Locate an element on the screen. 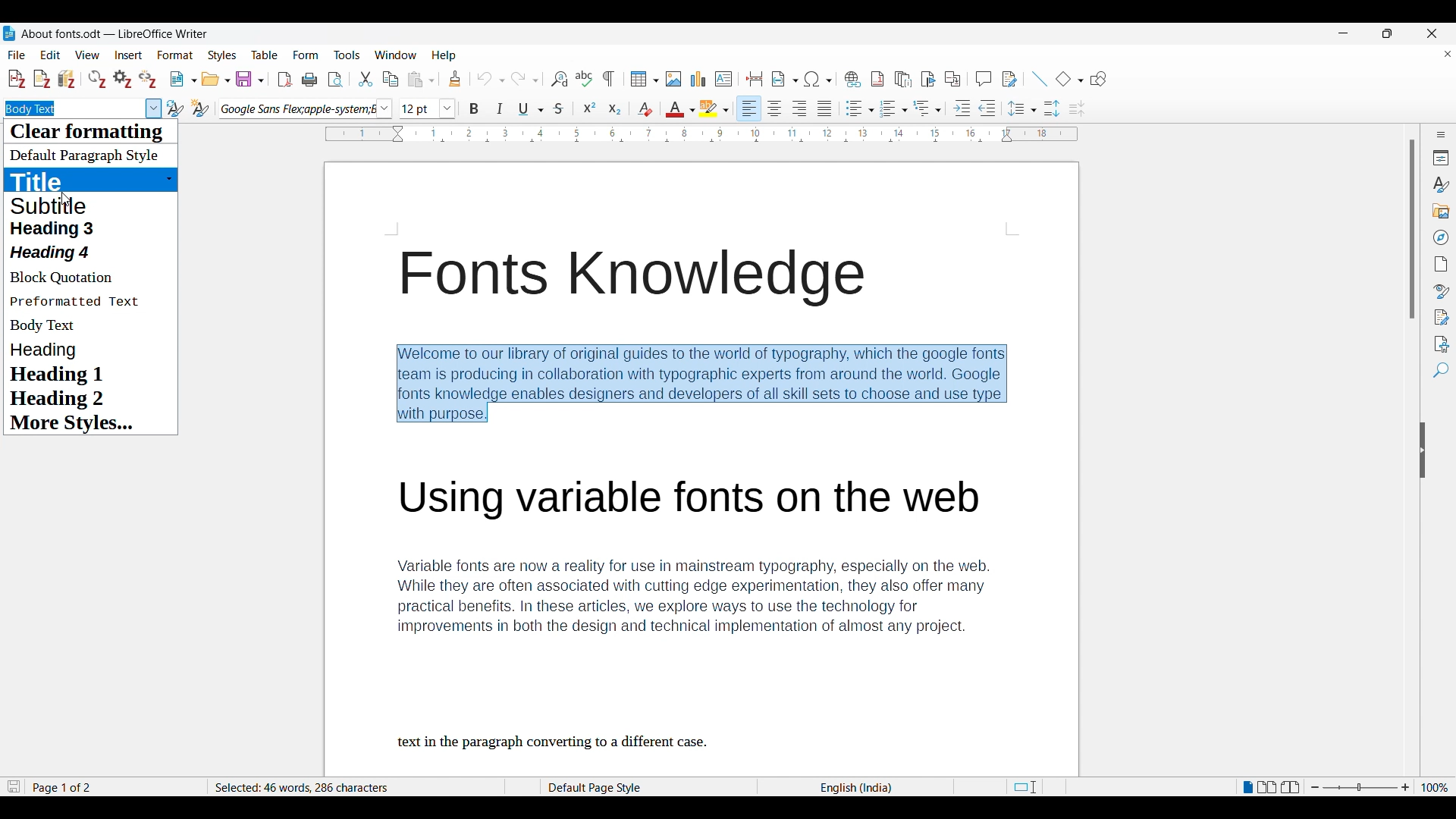 Image resolution: width=1456 pixels, height=819 pixels. Superscript is located at coordinates (590, 108).